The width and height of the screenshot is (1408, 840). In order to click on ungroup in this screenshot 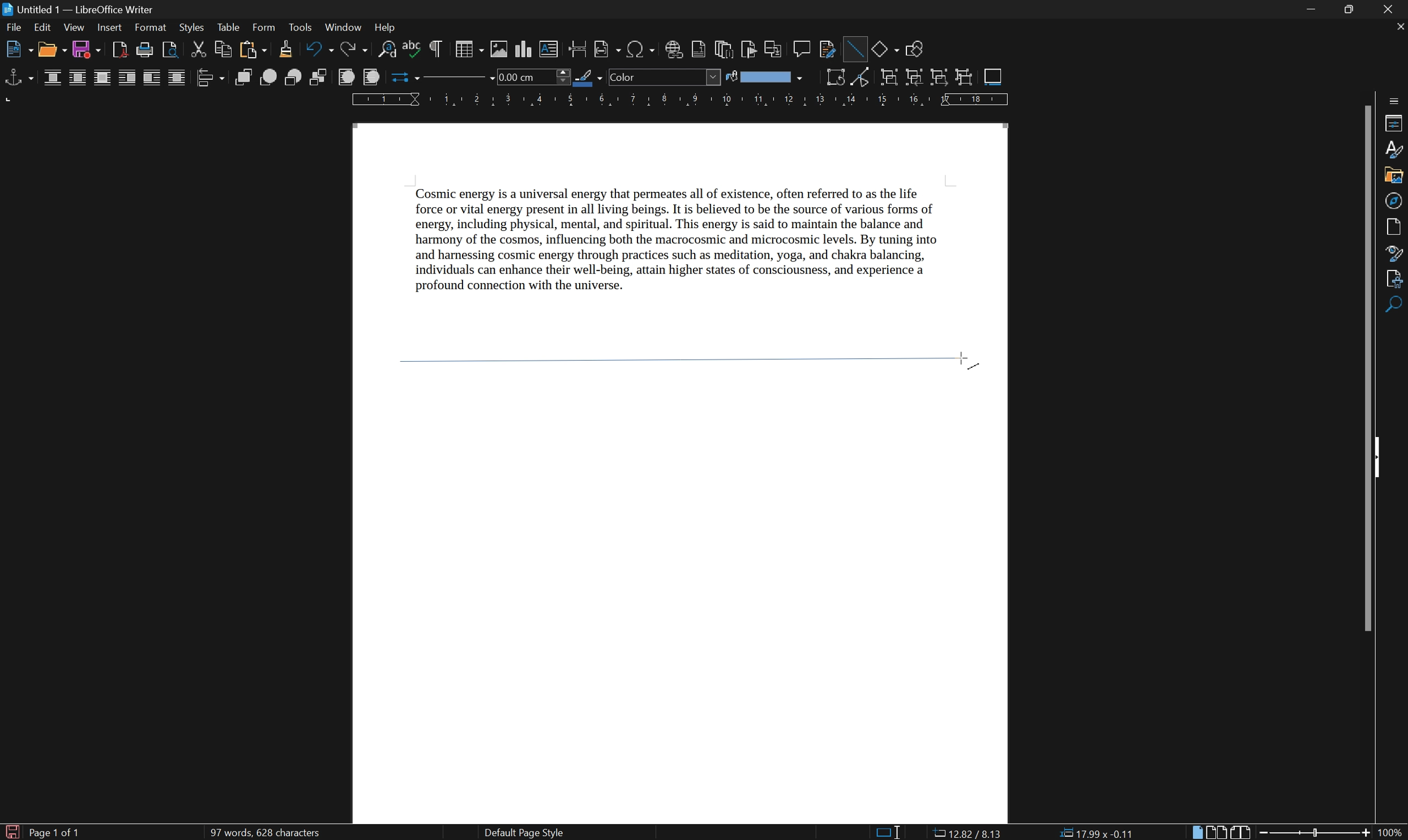, I will do `click(965, 78)`.